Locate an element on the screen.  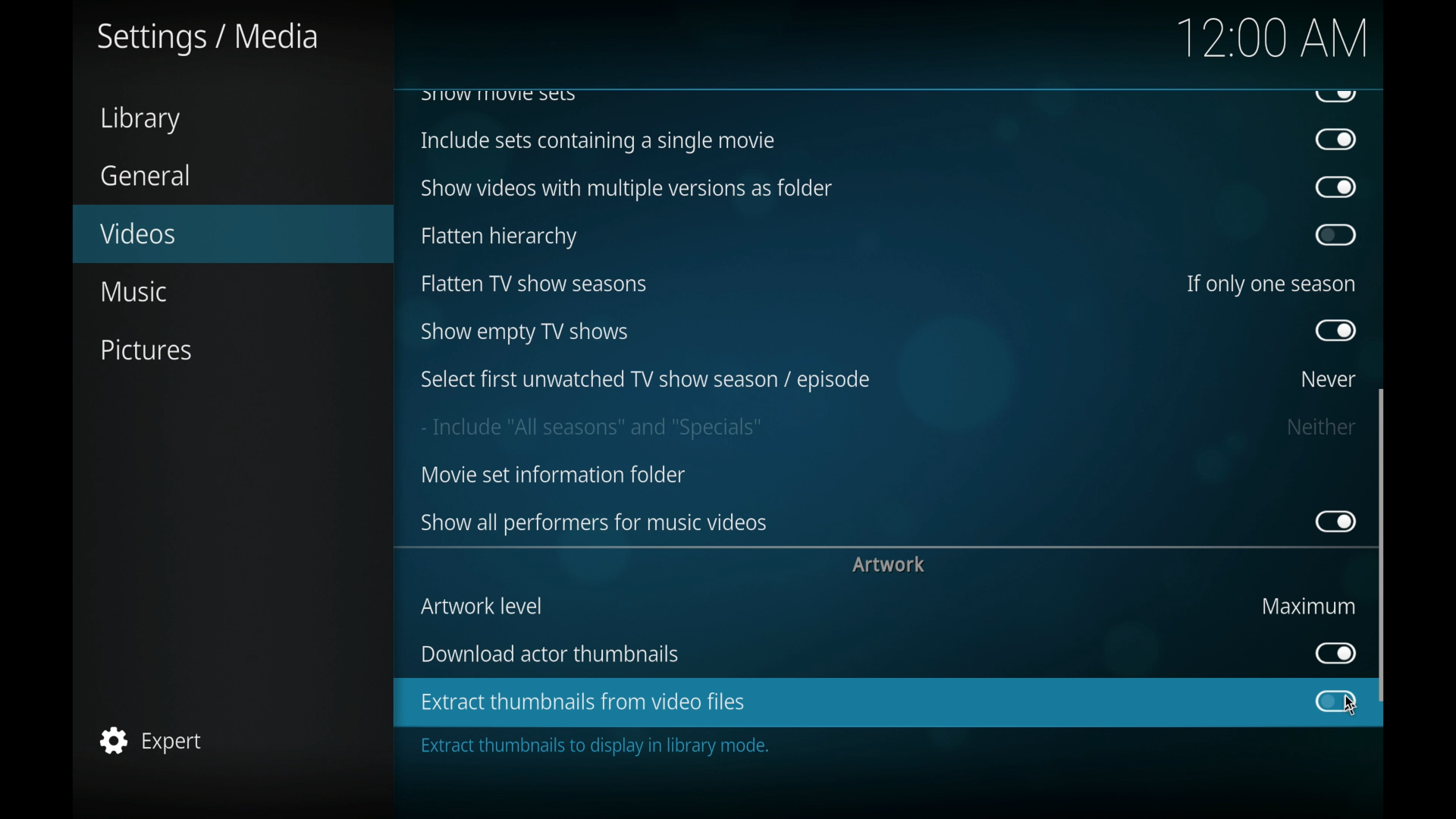
videos is located at coordinates (140, 232).